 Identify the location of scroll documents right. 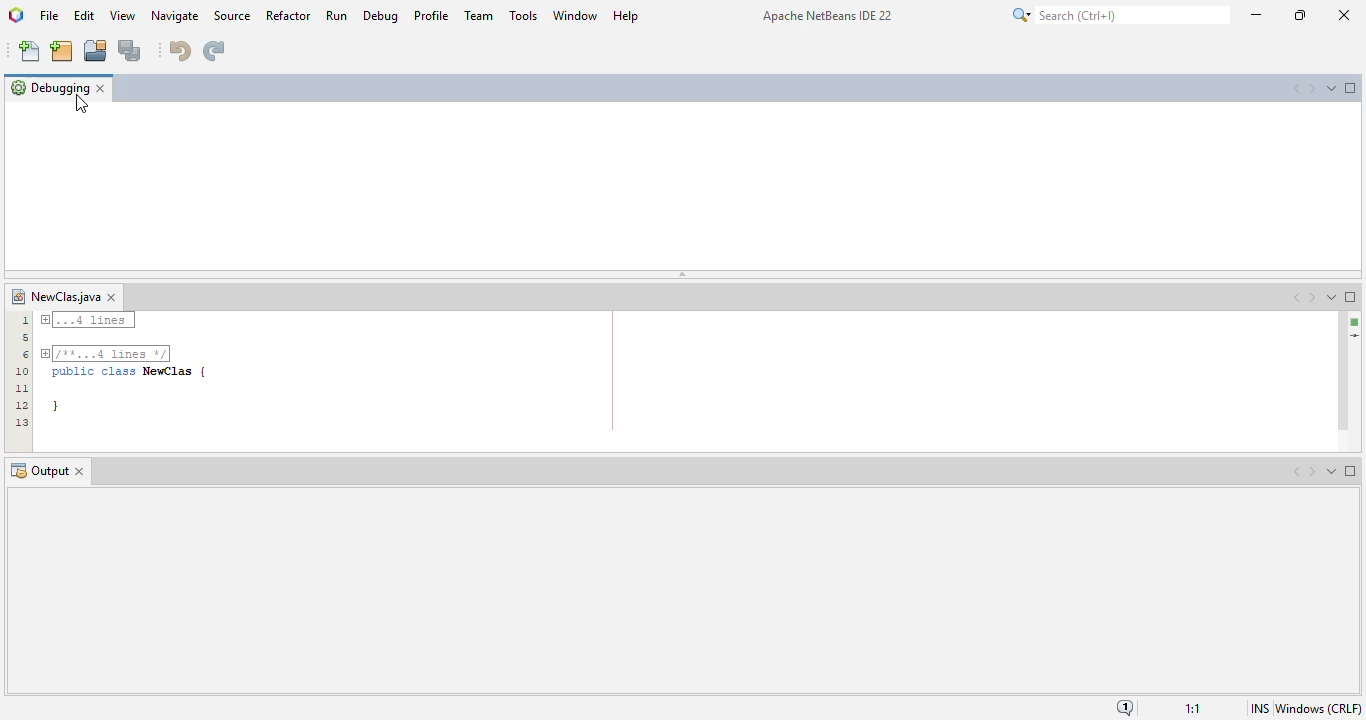
(1312, 298).